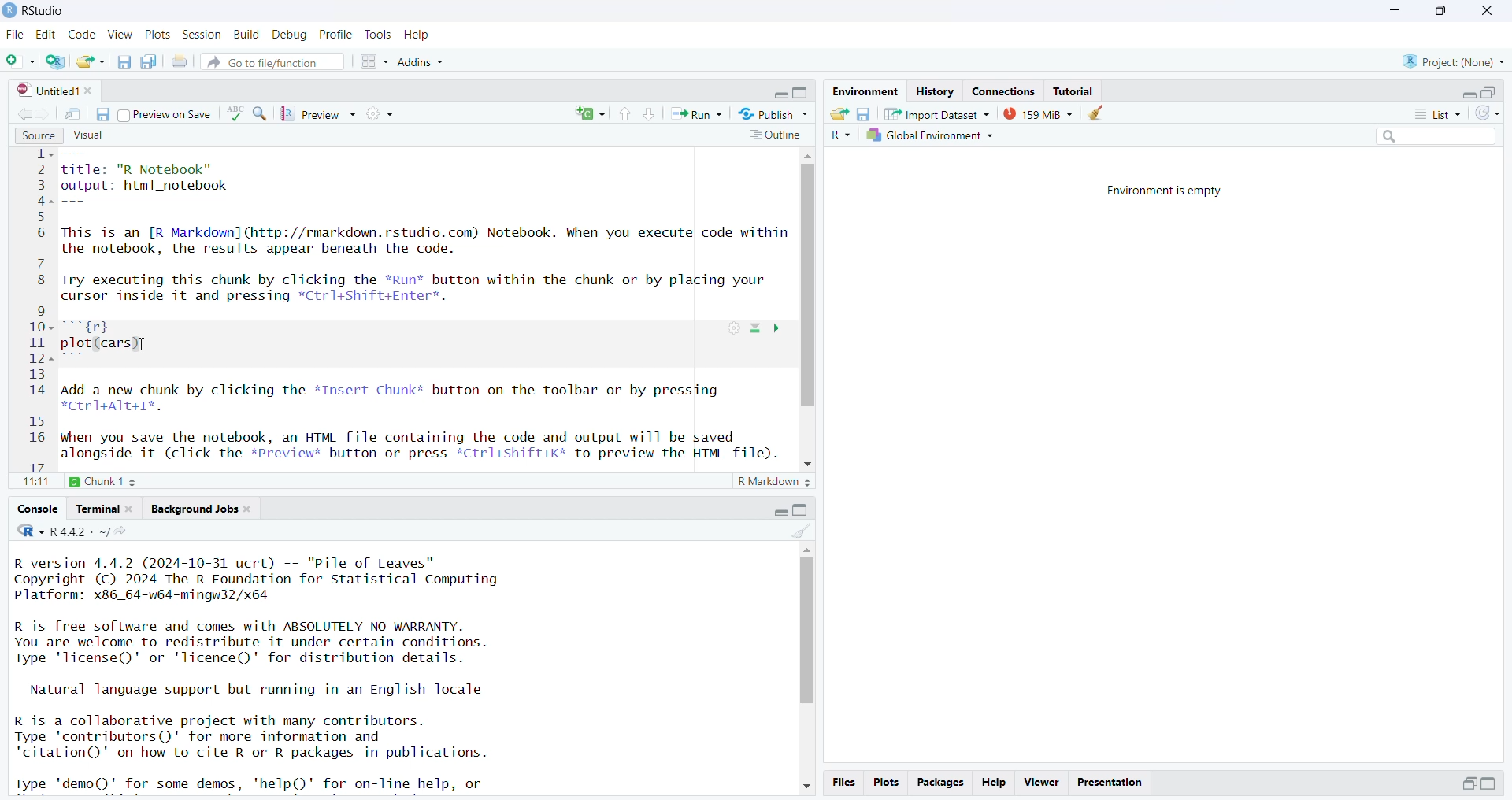 This screenshot has width=1512, height=800. I want to click on R markdown, so click(776, 483).